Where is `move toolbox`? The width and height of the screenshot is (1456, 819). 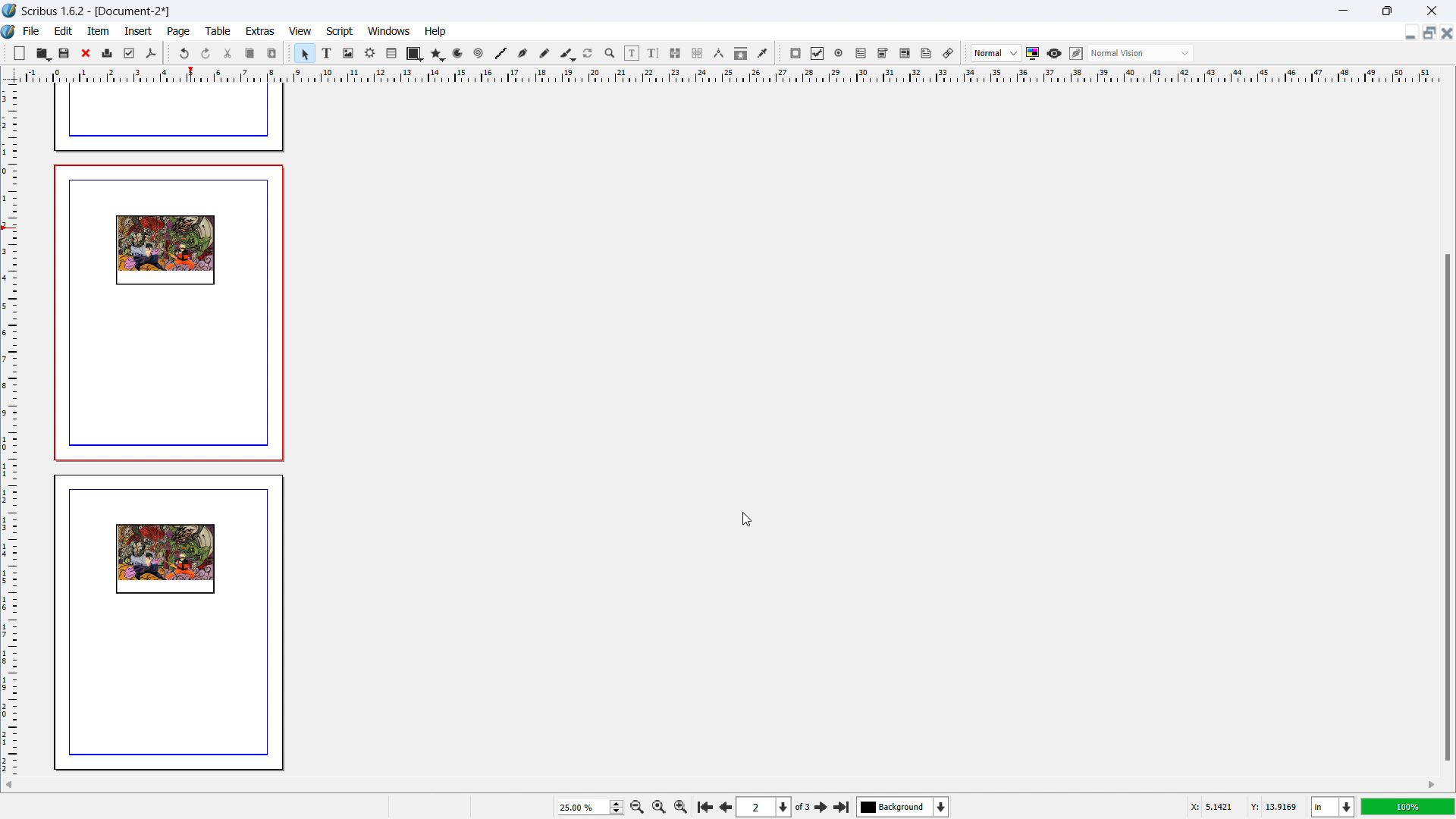 move toolbox is located at coordinates (965, 54).